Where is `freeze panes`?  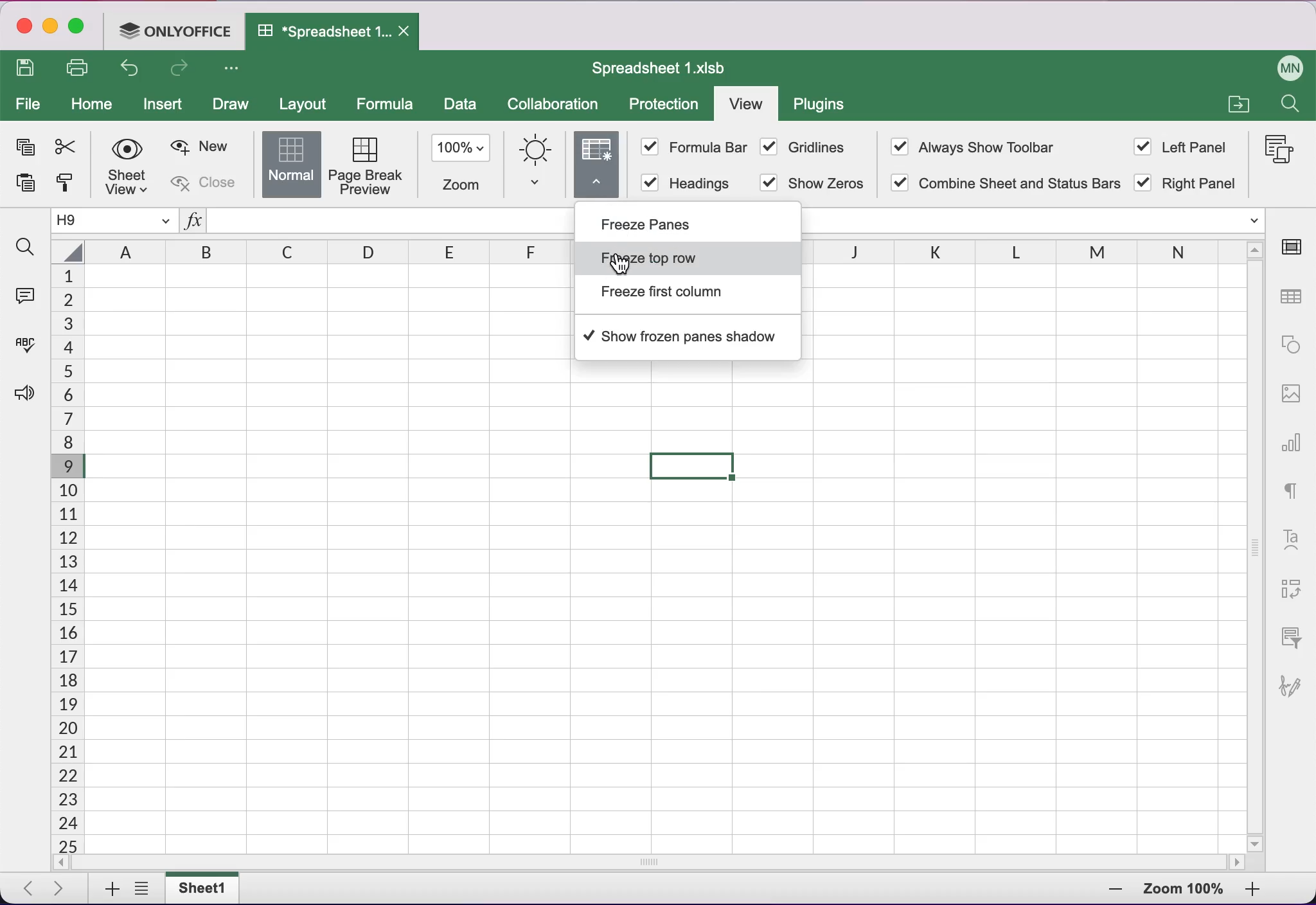
freeze panes is located at coordinates (666, 226).